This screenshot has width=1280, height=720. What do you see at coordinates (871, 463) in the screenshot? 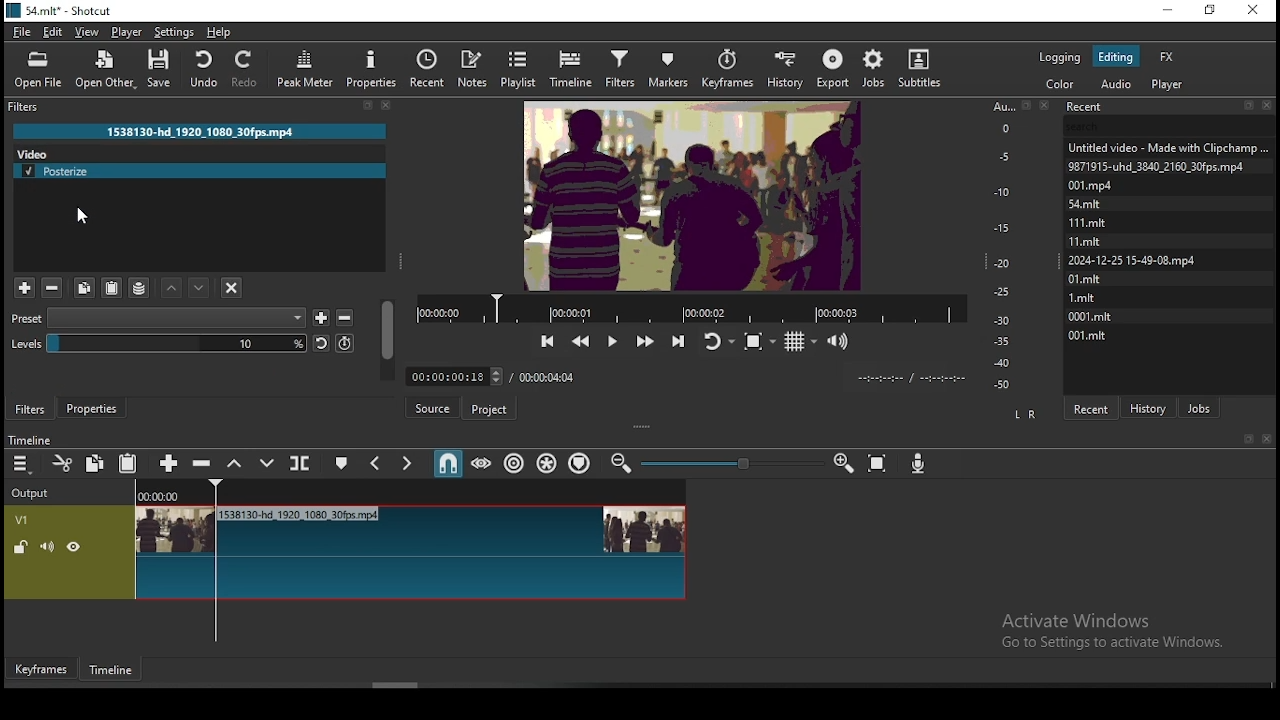
I see `zoom timeline to fit` at bounding box center [871, 463].